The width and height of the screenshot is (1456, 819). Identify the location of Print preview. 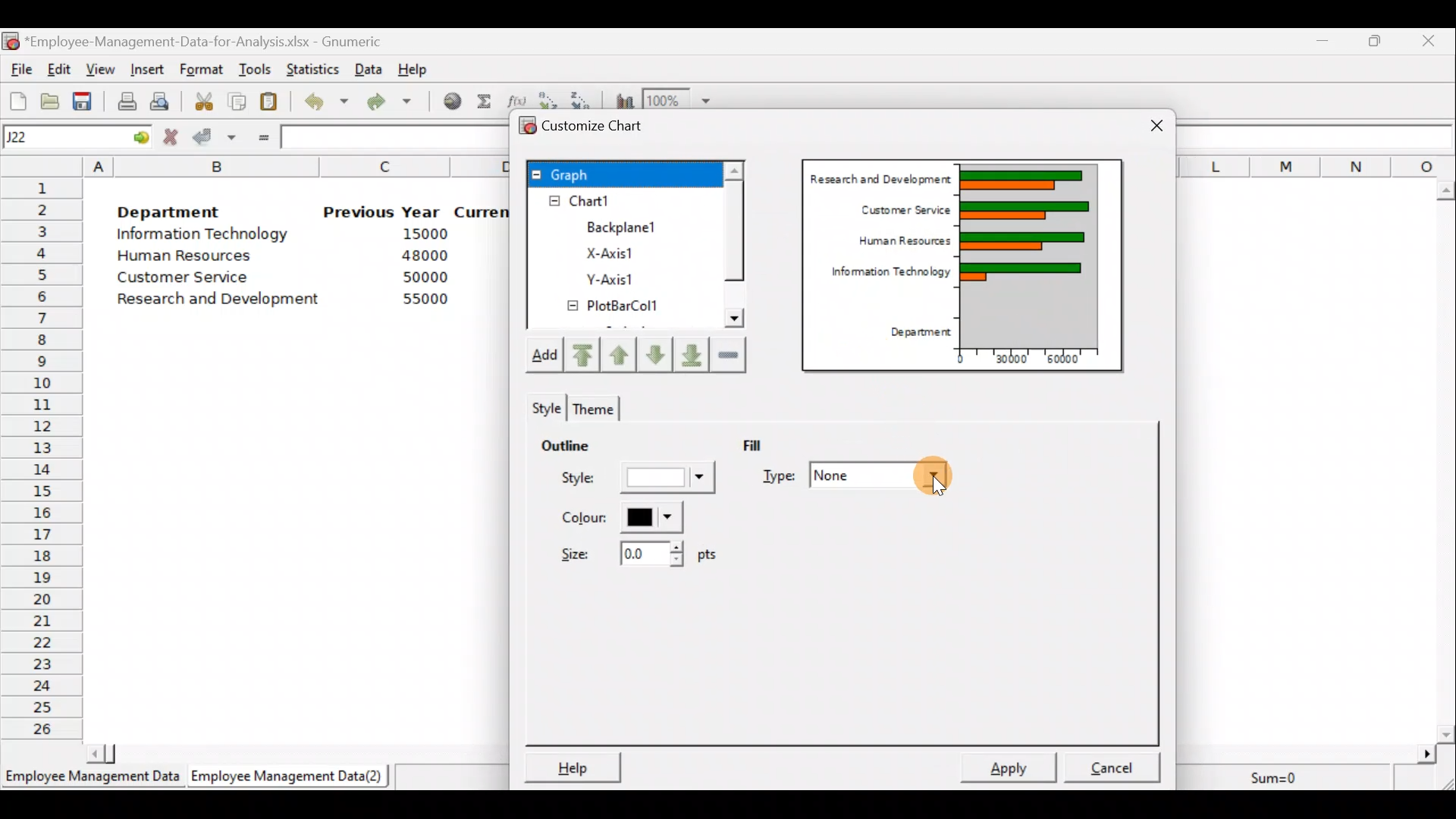
(161, 101).